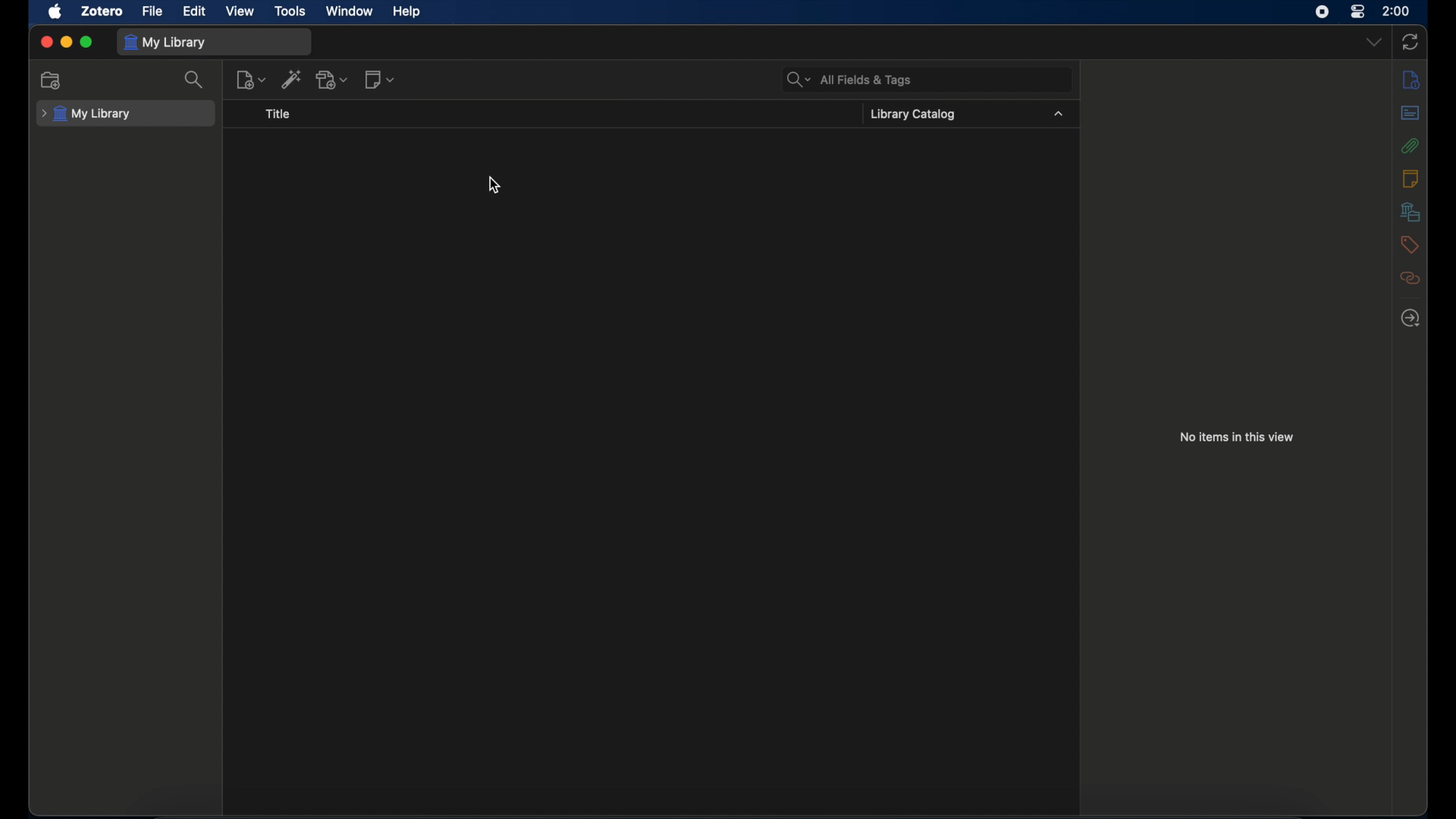 Image resolution: width=1456 pixels, height=819 pixels. I want to click on no items in this view, so click(1237, 437).